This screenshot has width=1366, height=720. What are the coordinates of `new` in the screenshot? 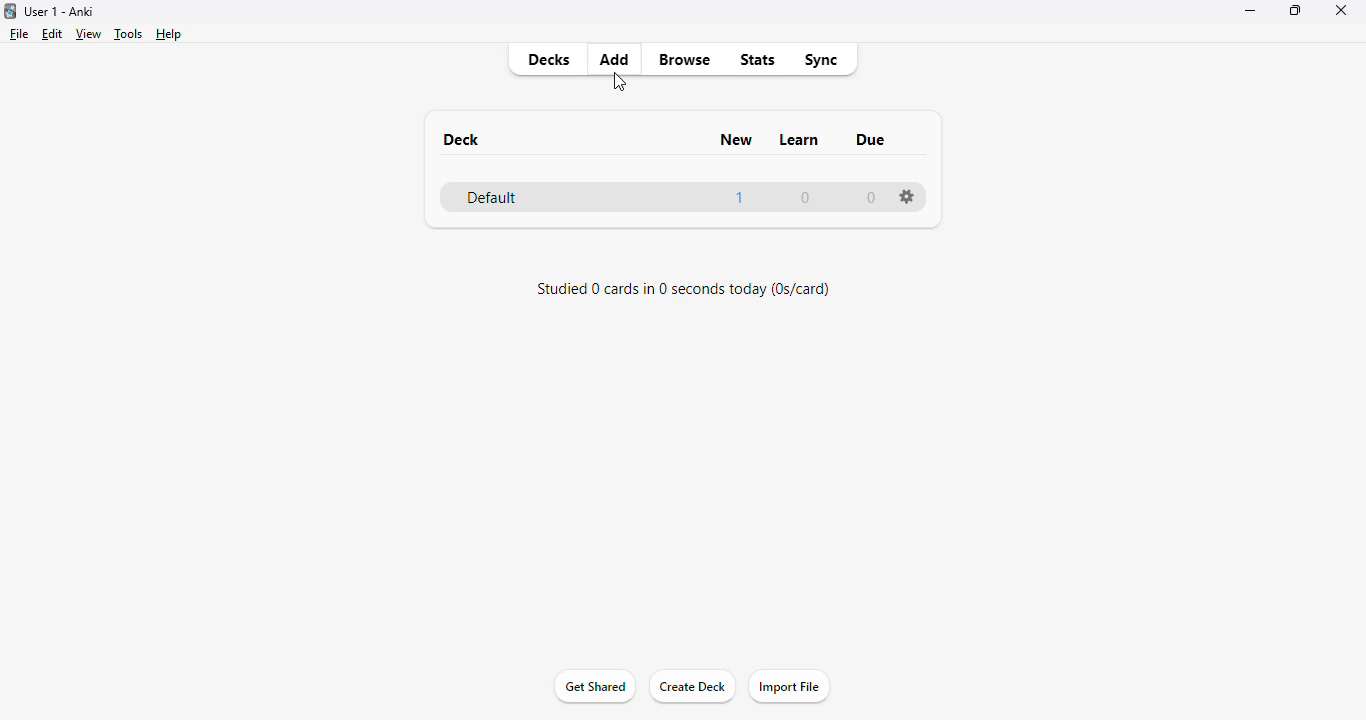 It's located at (738, 140).